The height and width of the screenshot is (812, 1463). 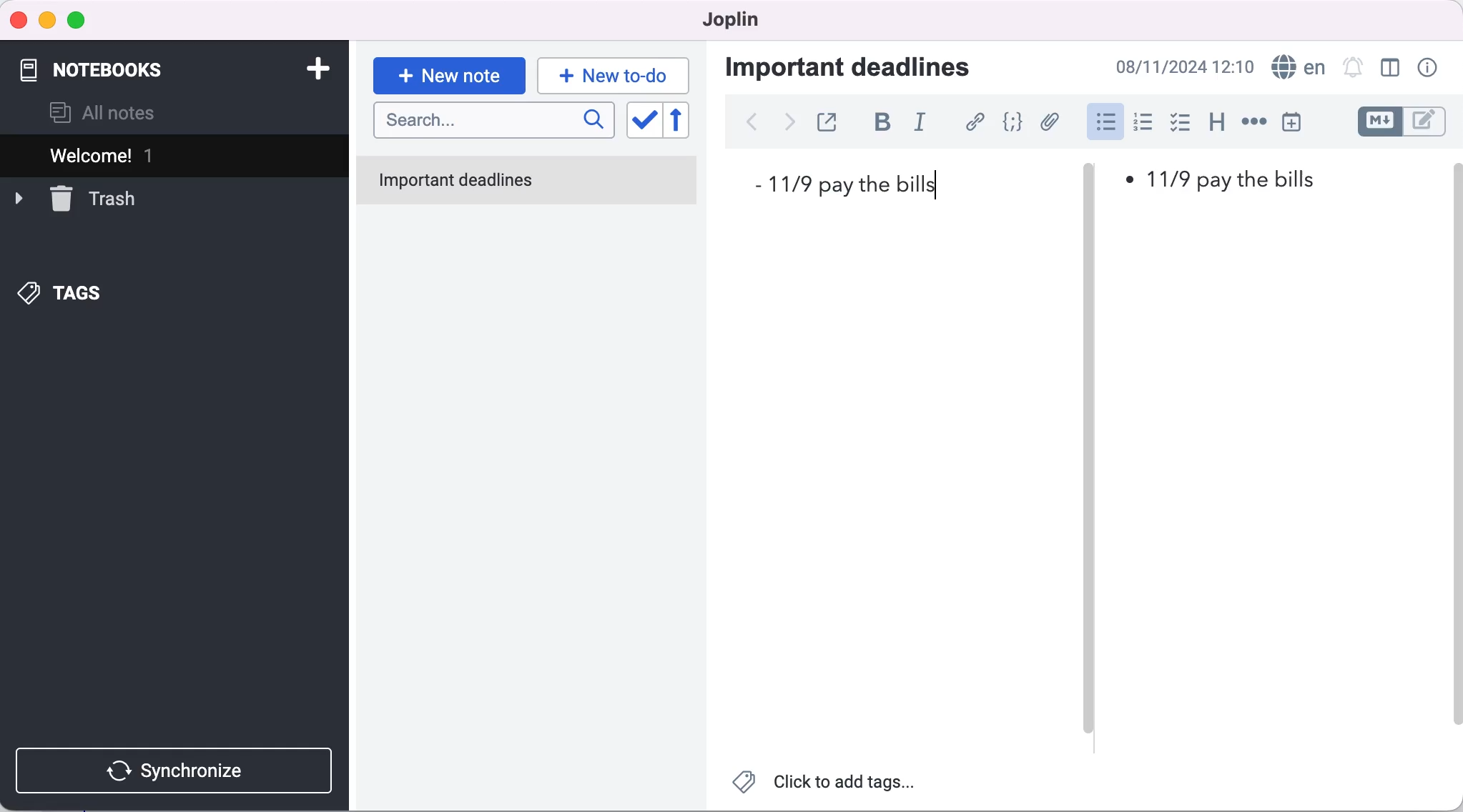 What do you see at coordinates (94, 199) in the screenshot?
I see `trash` at bounding box center [94, 199].